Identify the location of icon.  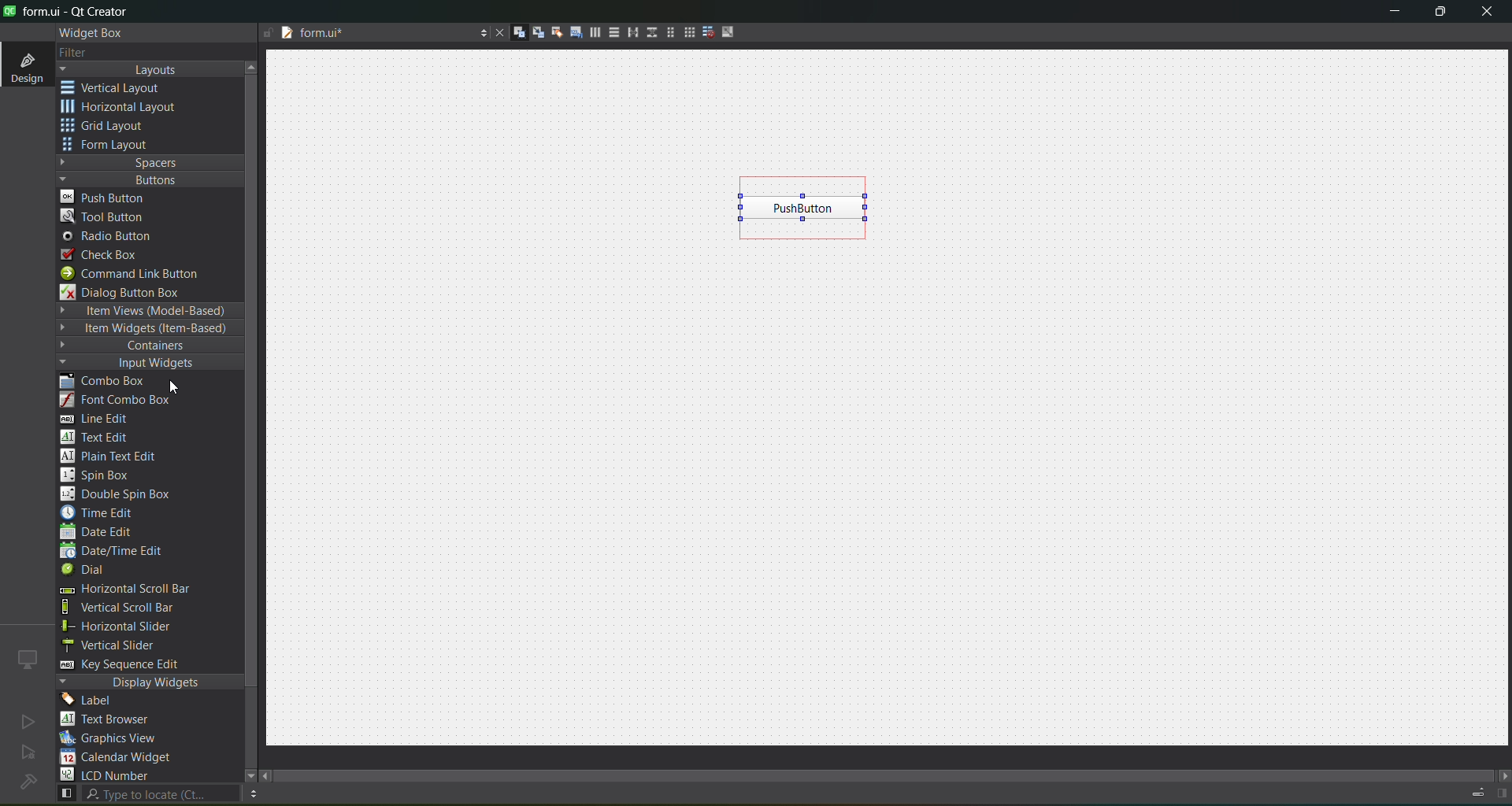
(28, 659).